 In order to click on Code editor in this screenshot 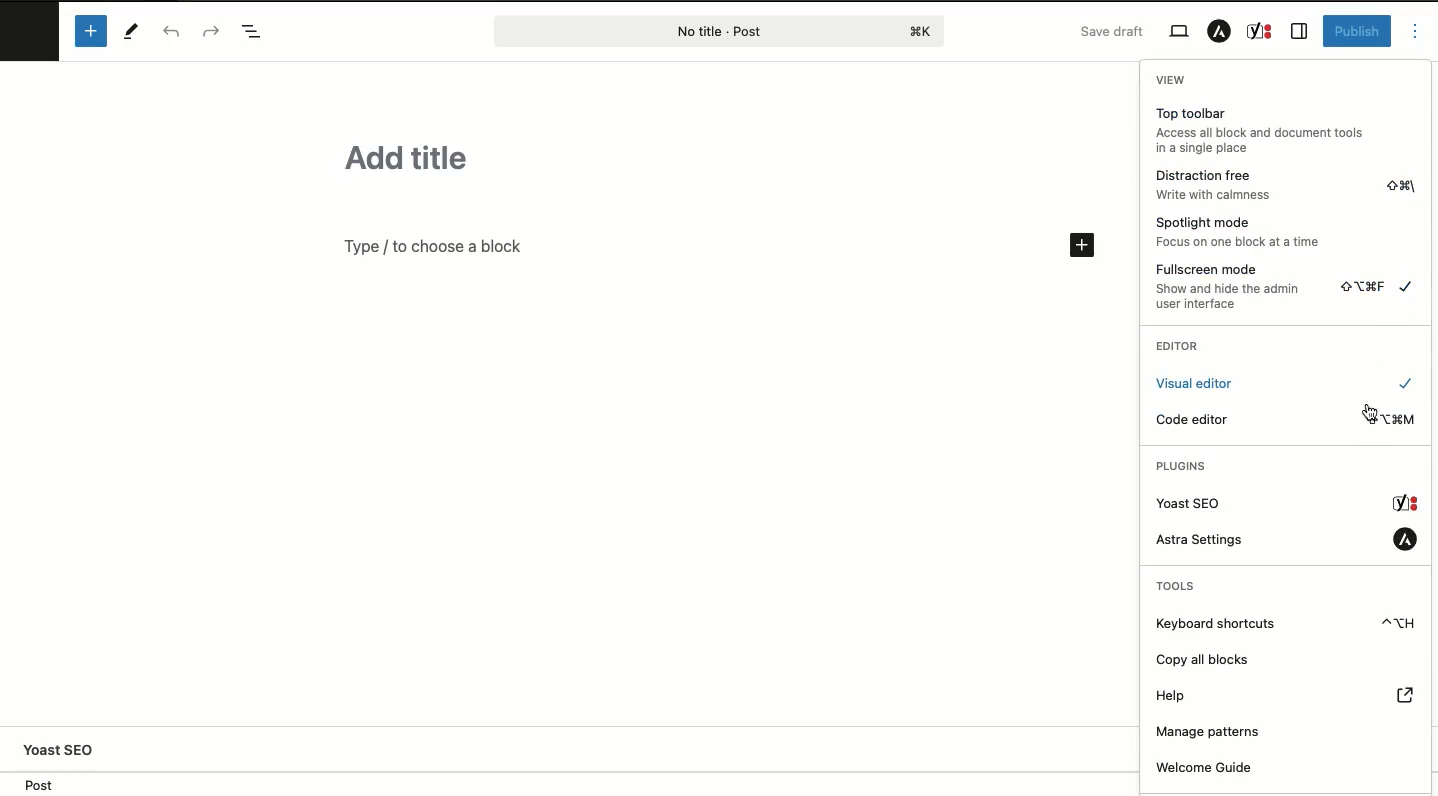, I will do `click(1285, 419)`.